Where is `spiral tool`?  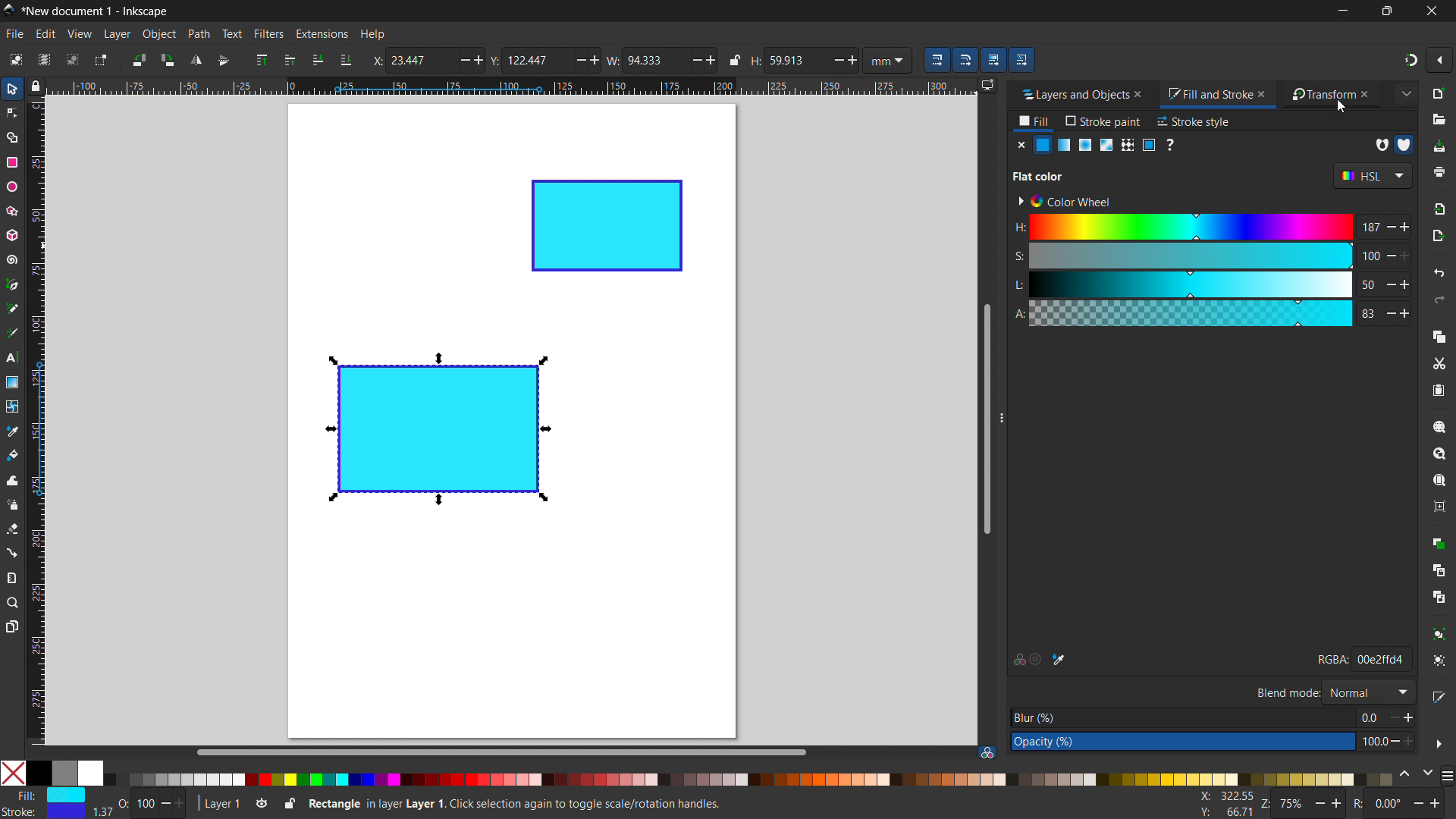
spiral tool is located at coordinates (11, 259).